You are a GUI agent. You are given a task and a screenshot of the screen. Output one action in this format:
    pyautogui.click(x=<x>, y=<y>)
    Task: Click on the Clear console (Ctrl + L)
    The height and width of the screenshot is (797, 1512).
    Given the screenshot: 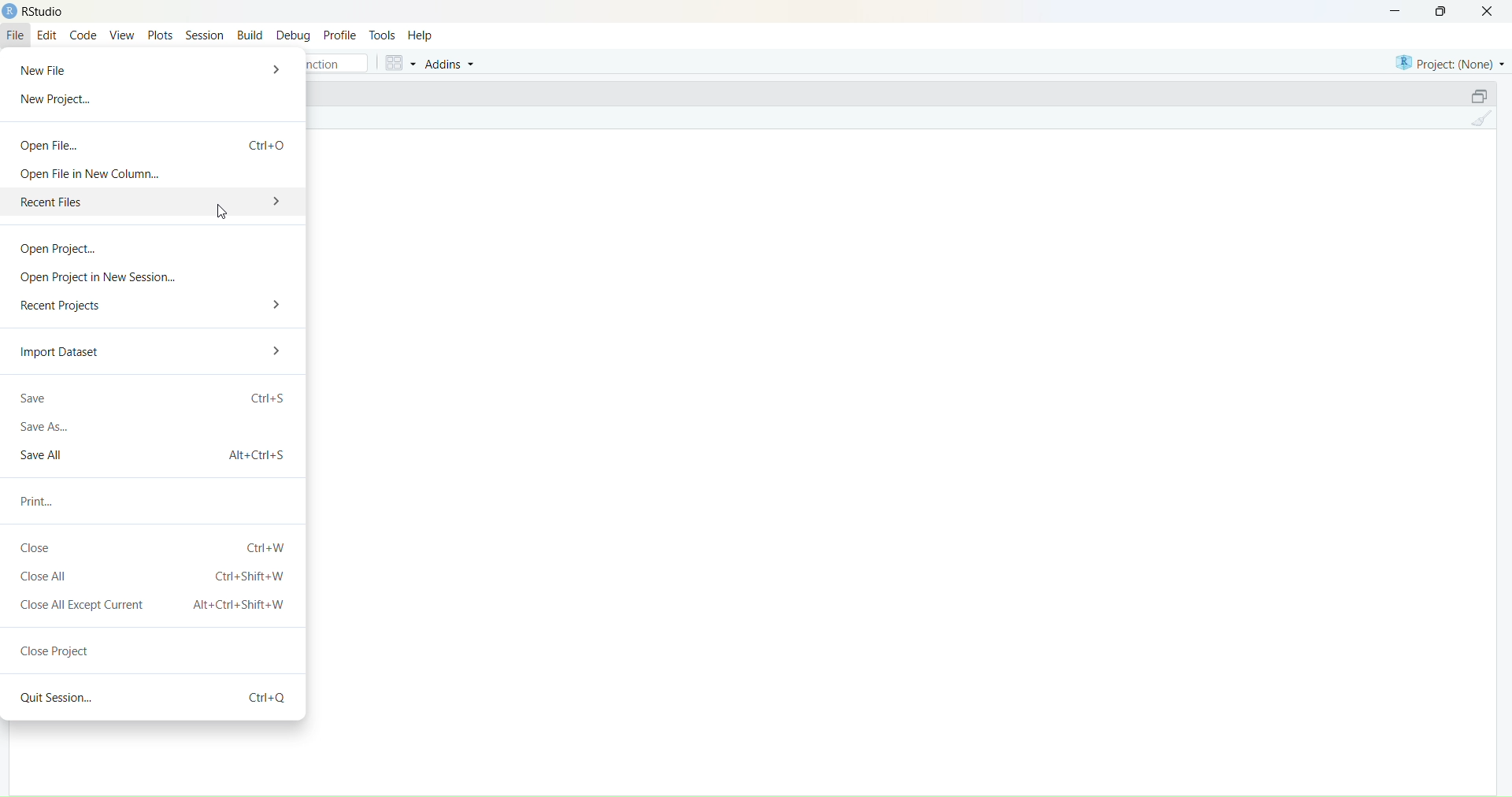 What is the action you would take?
    pyautogui.click(x=1482, y=122)
    